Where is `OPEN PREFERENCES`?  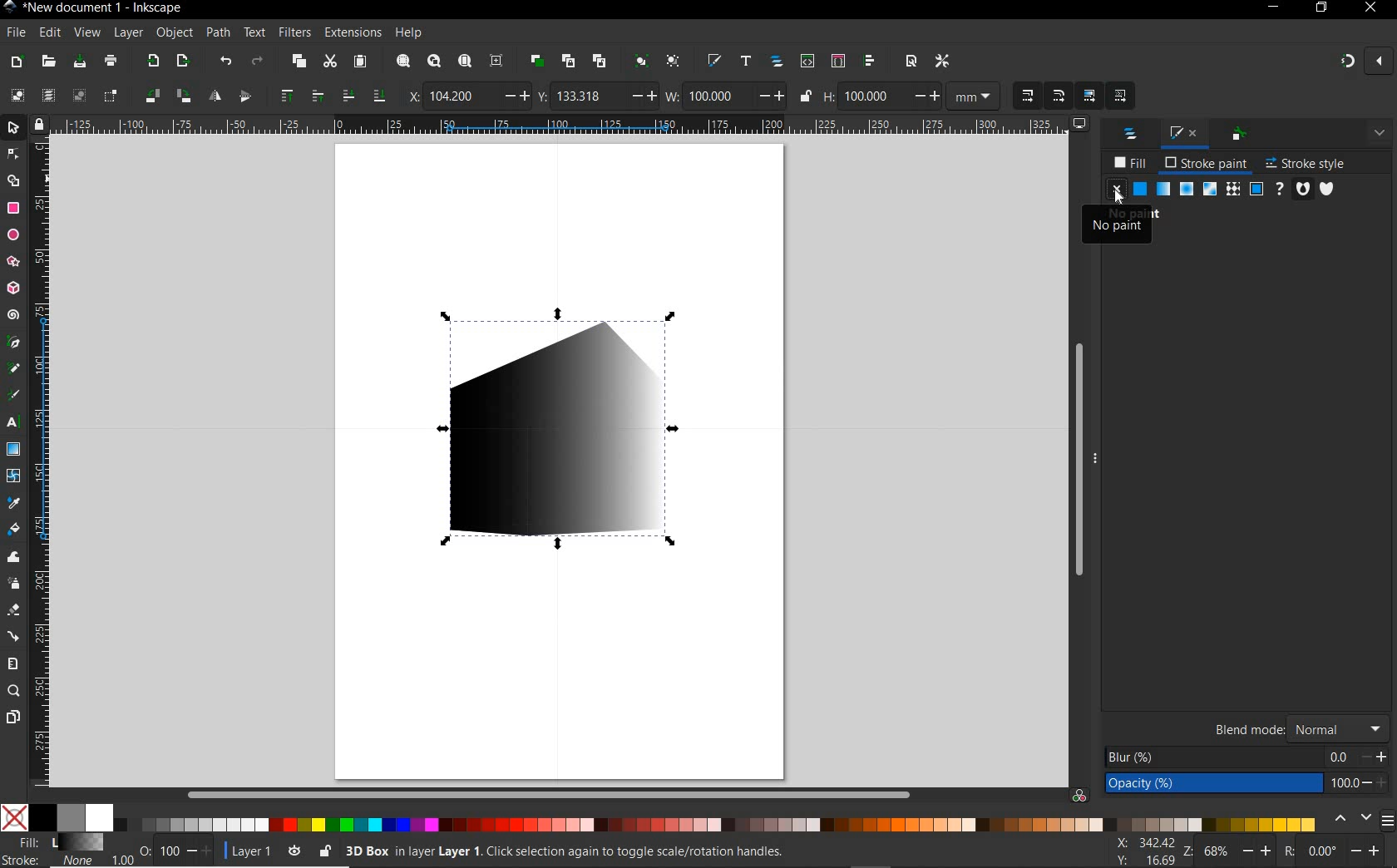
OPEN PREFERENCES is located at coordinates (943, 59).